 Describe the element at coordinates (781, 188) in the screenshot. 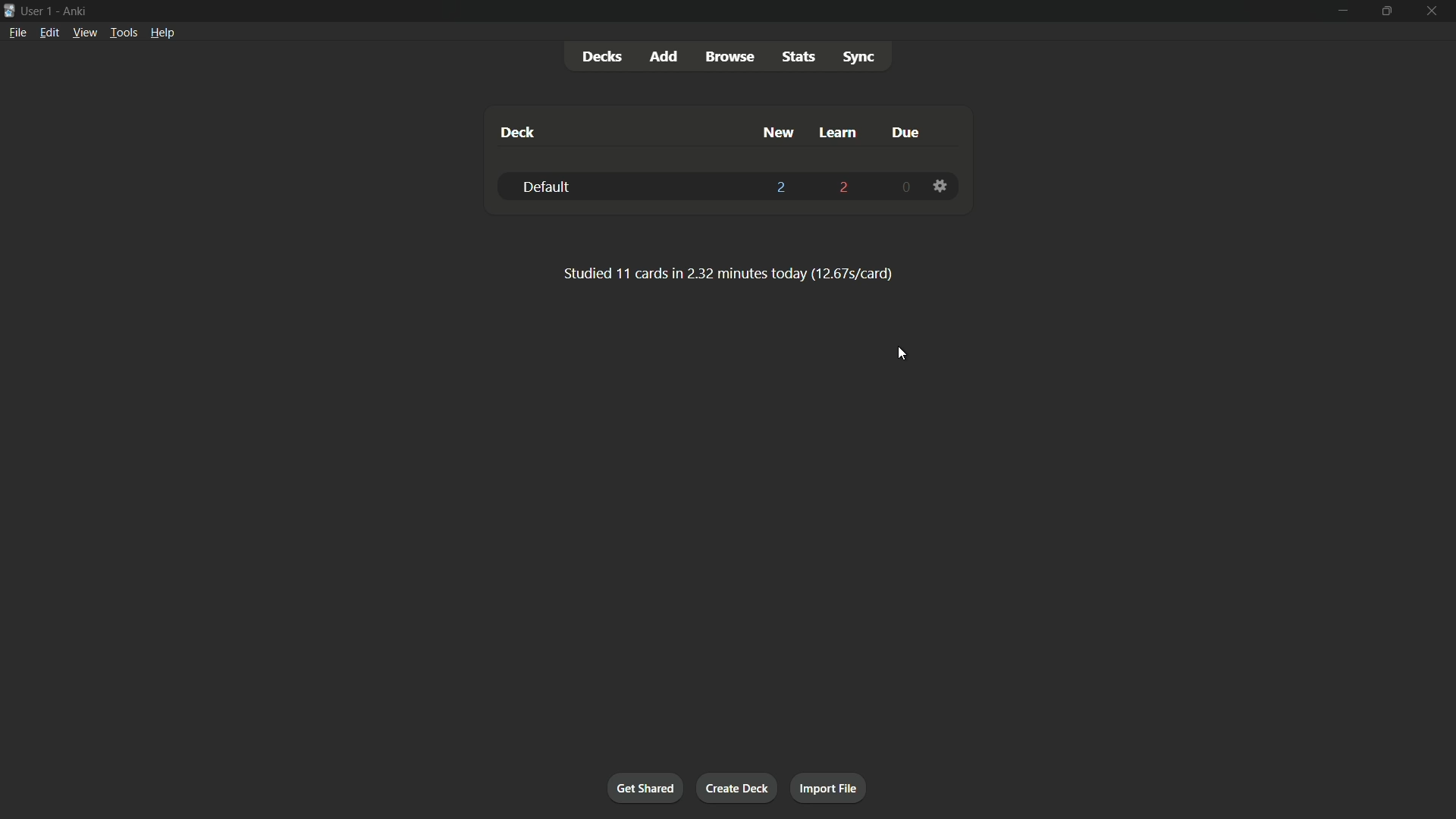

I see `2` at that location.